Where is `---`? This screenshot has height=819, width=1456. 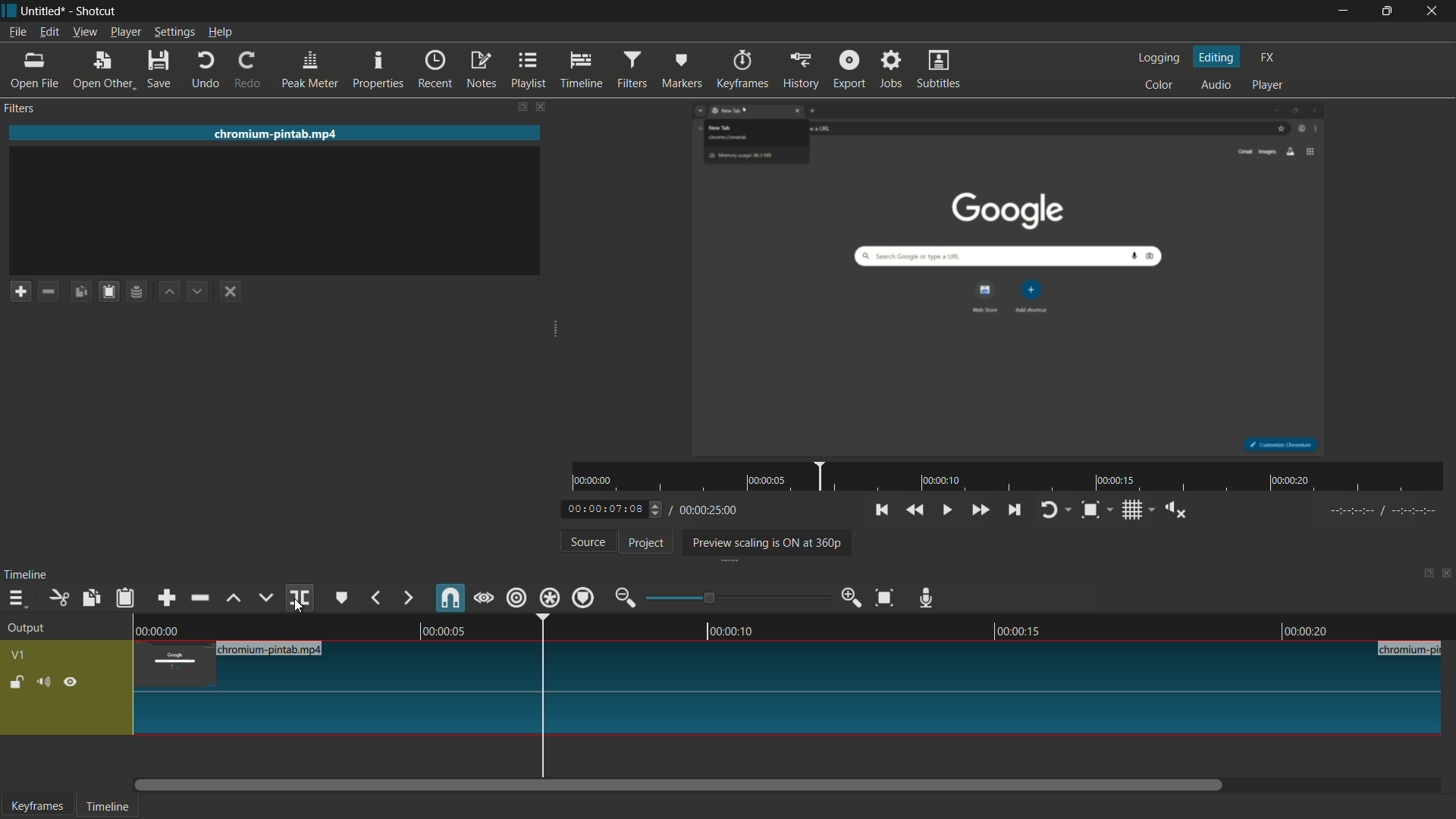
--- is located at coordinates (1382, 510).